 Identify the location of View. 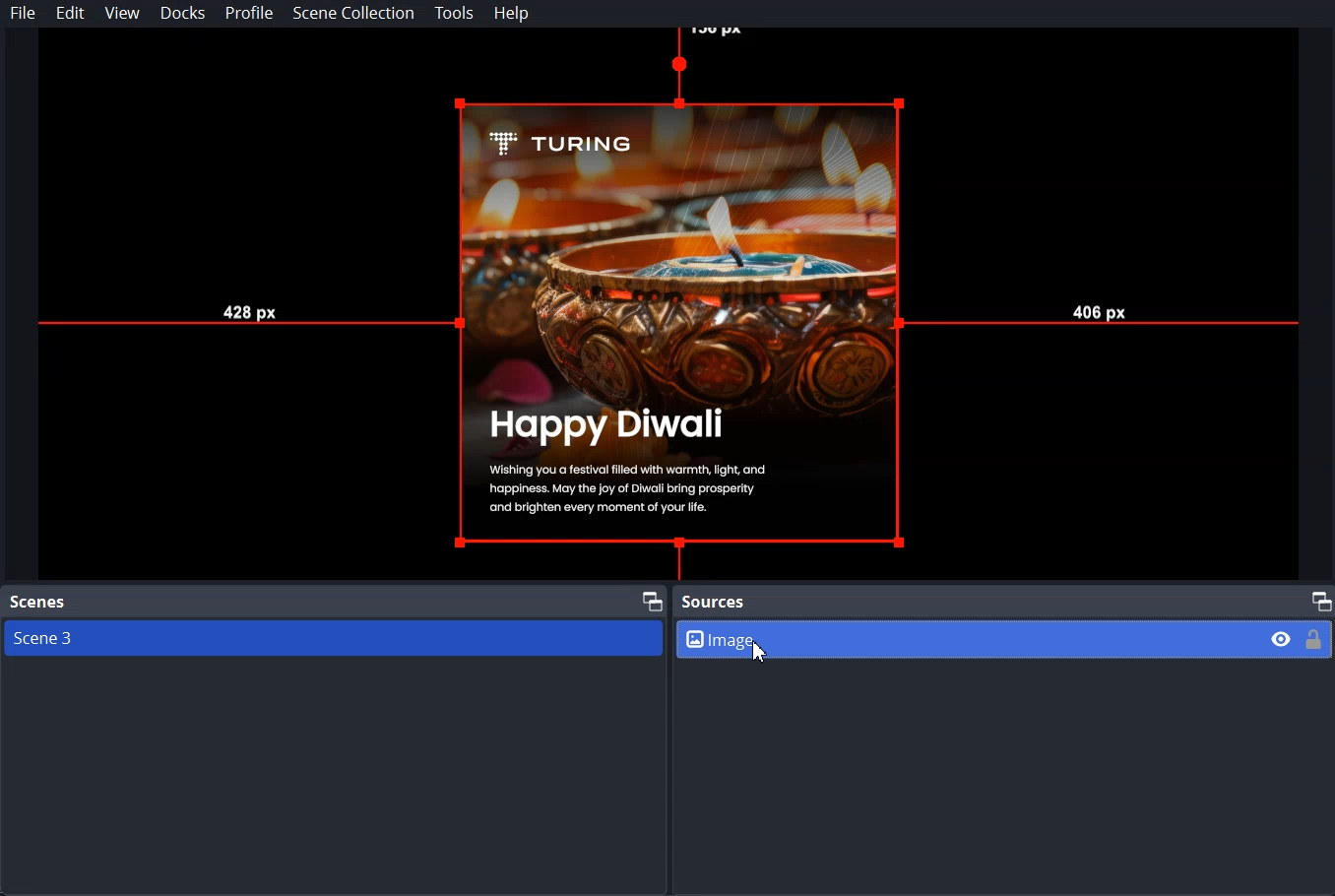
(122, 13).